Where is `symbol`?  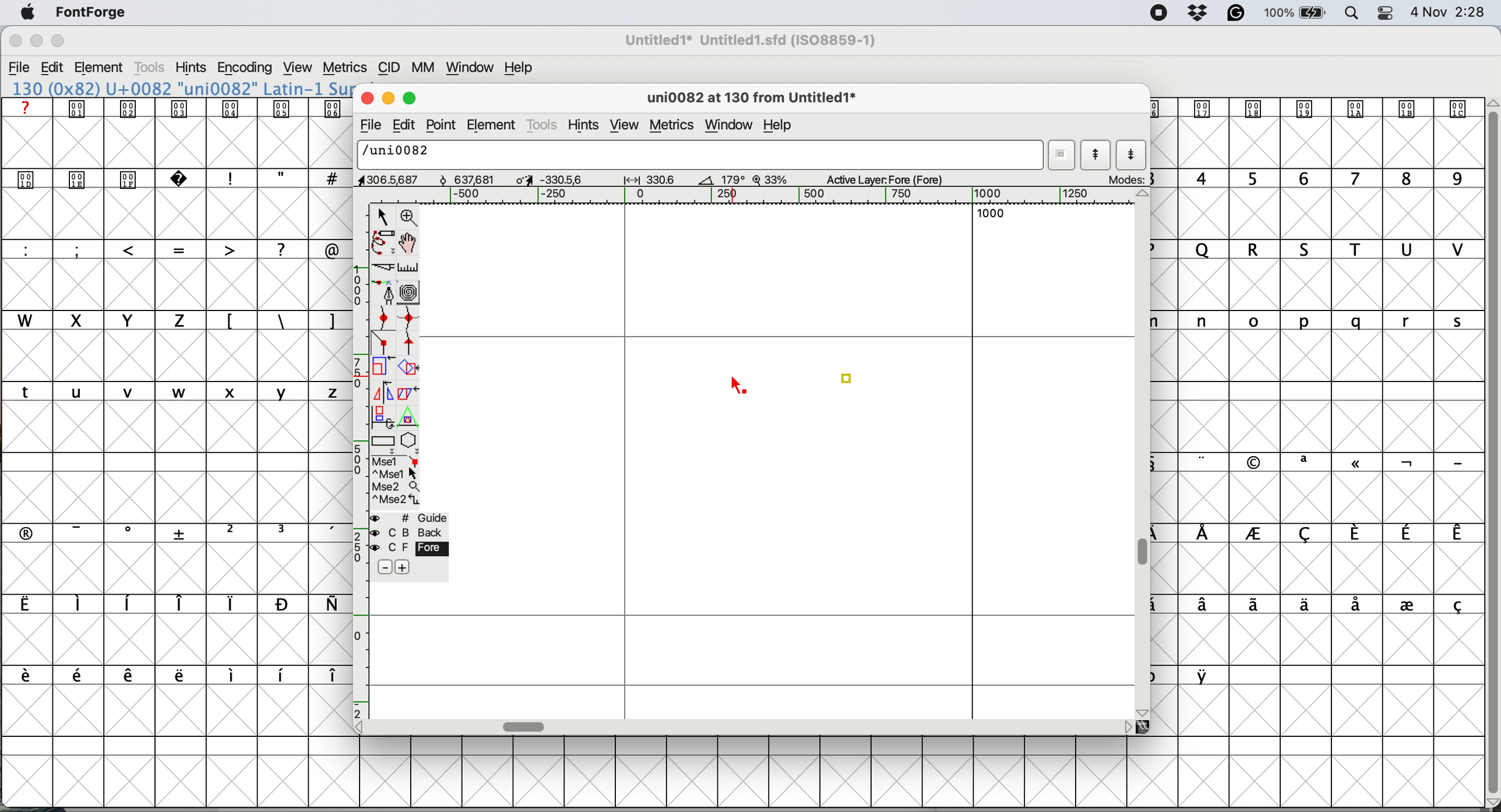
symbol is located at coordinates (1313, 108).